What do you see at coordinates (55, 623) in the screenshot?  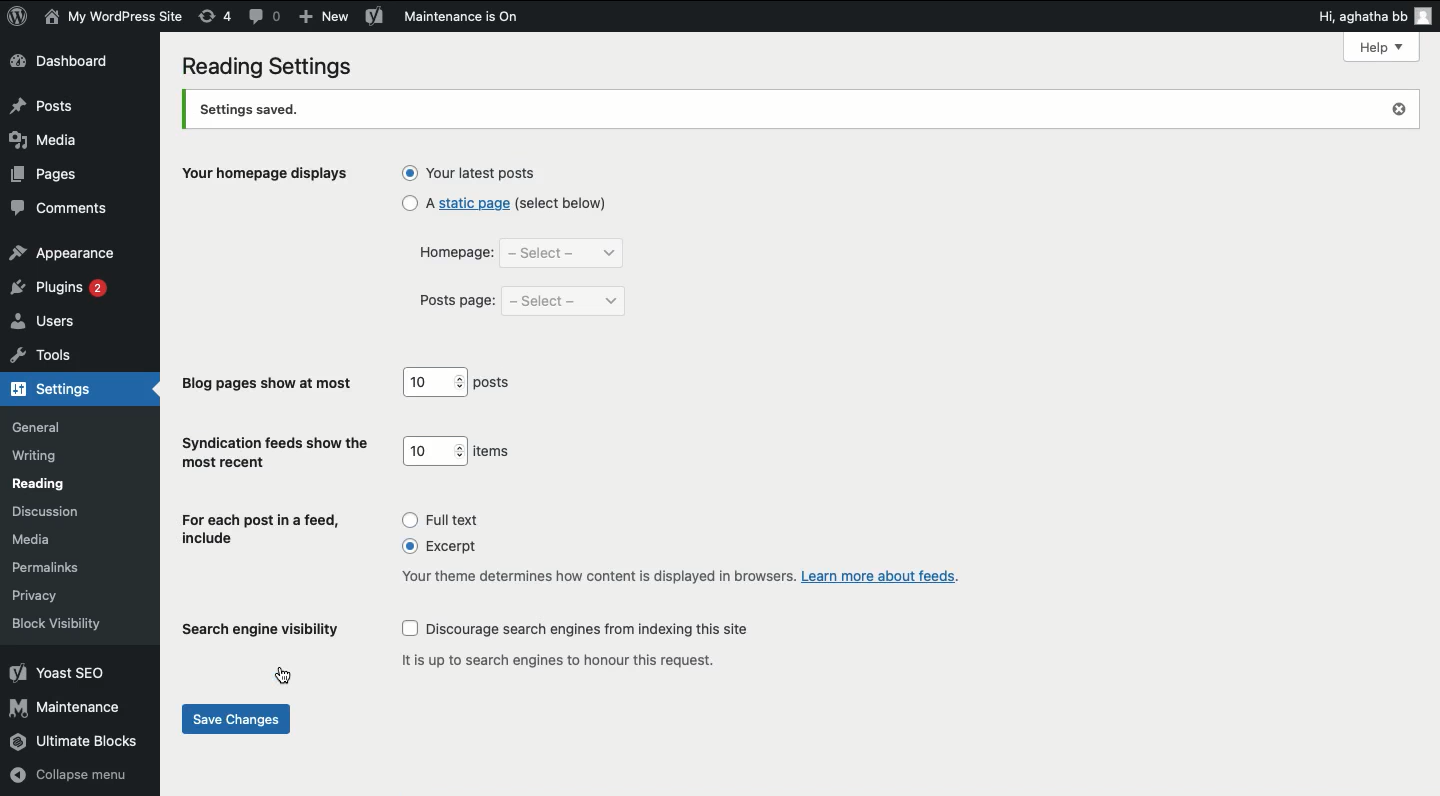 I see `block visibility ` at bounding box center [55, 623].